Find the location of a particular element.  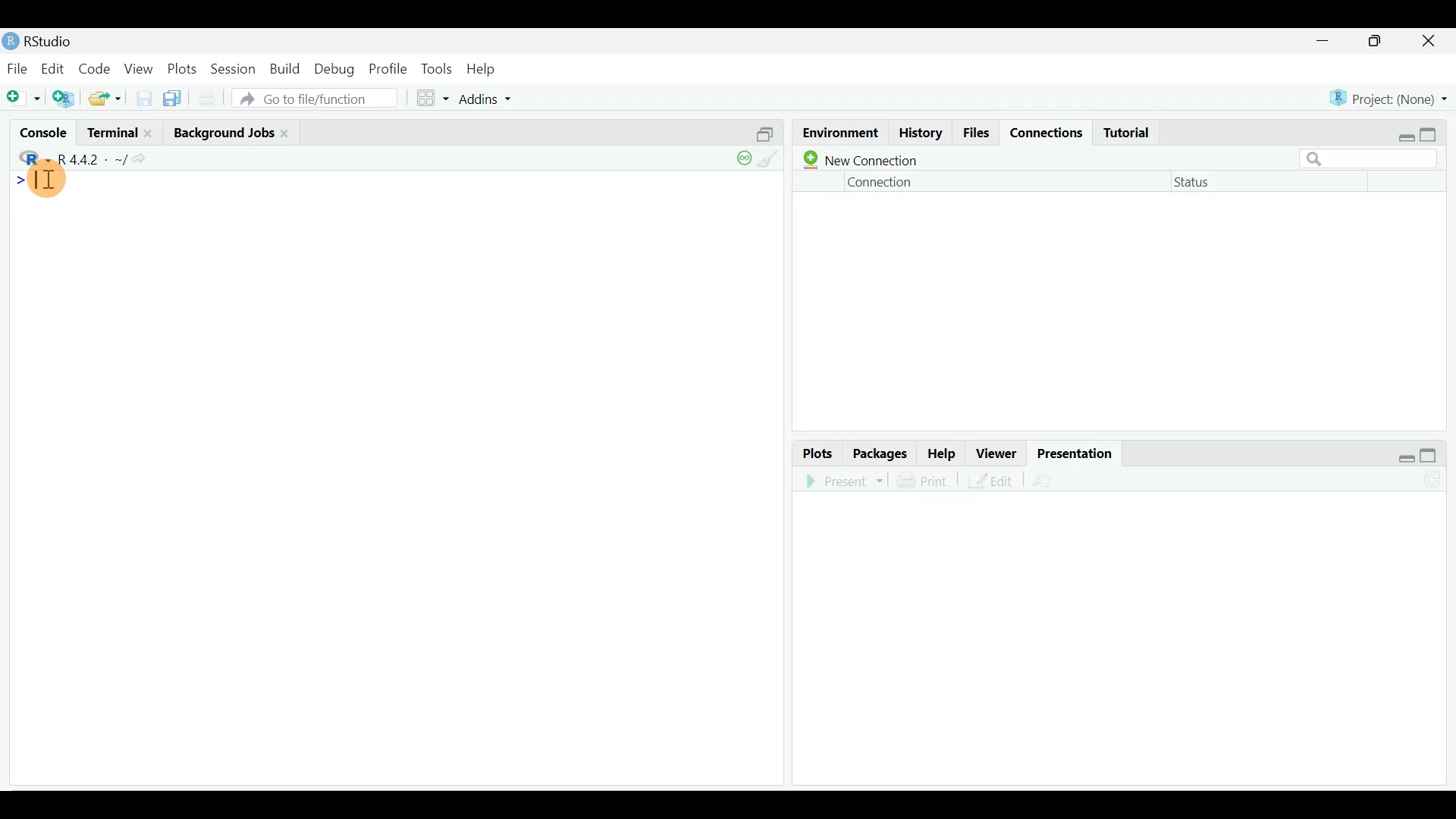

Go to file/function is located at coordinates (313, 99).